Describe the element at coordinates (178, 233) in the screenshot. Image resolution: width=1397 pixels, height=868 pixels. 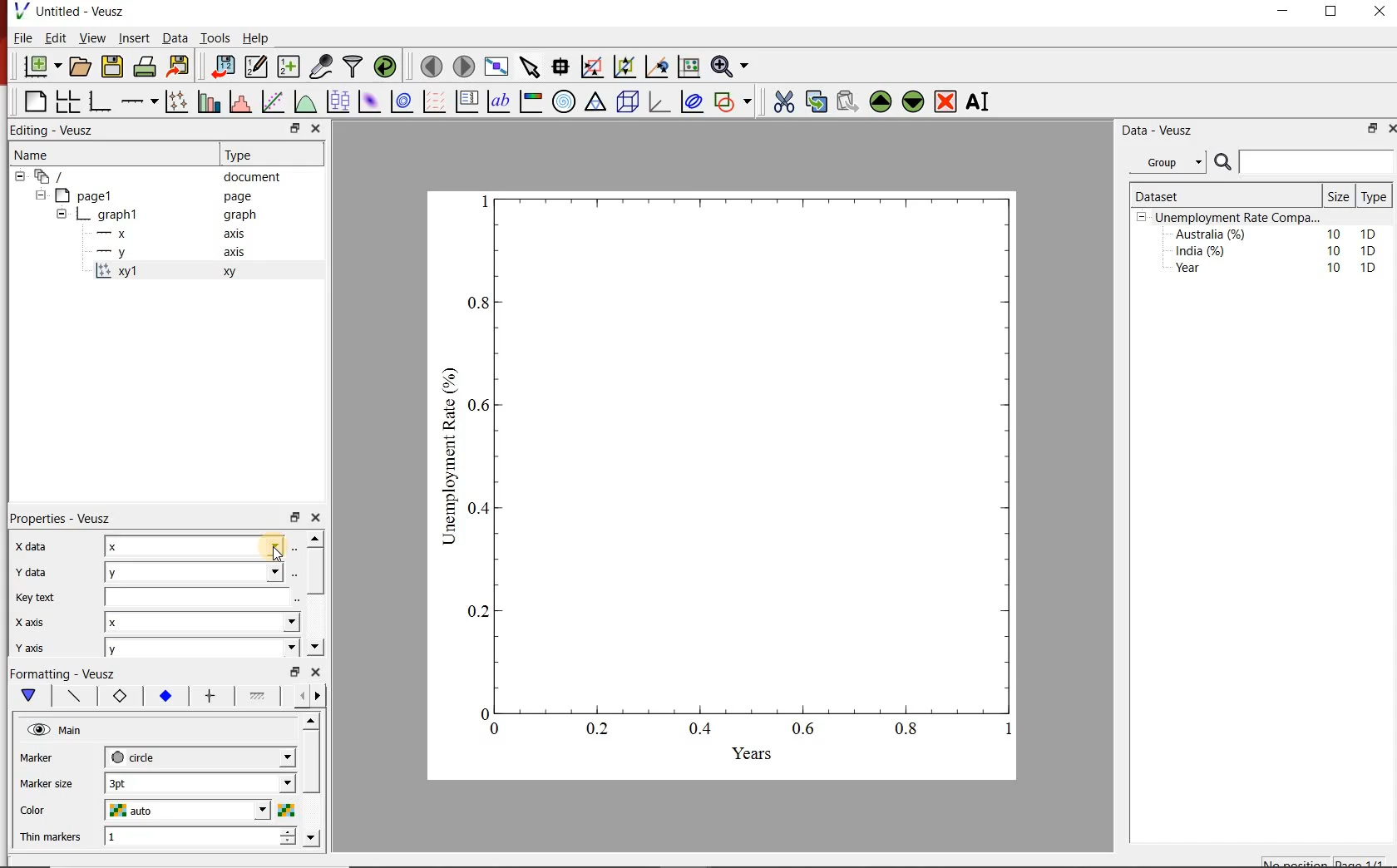
I see `x axis` at that location.